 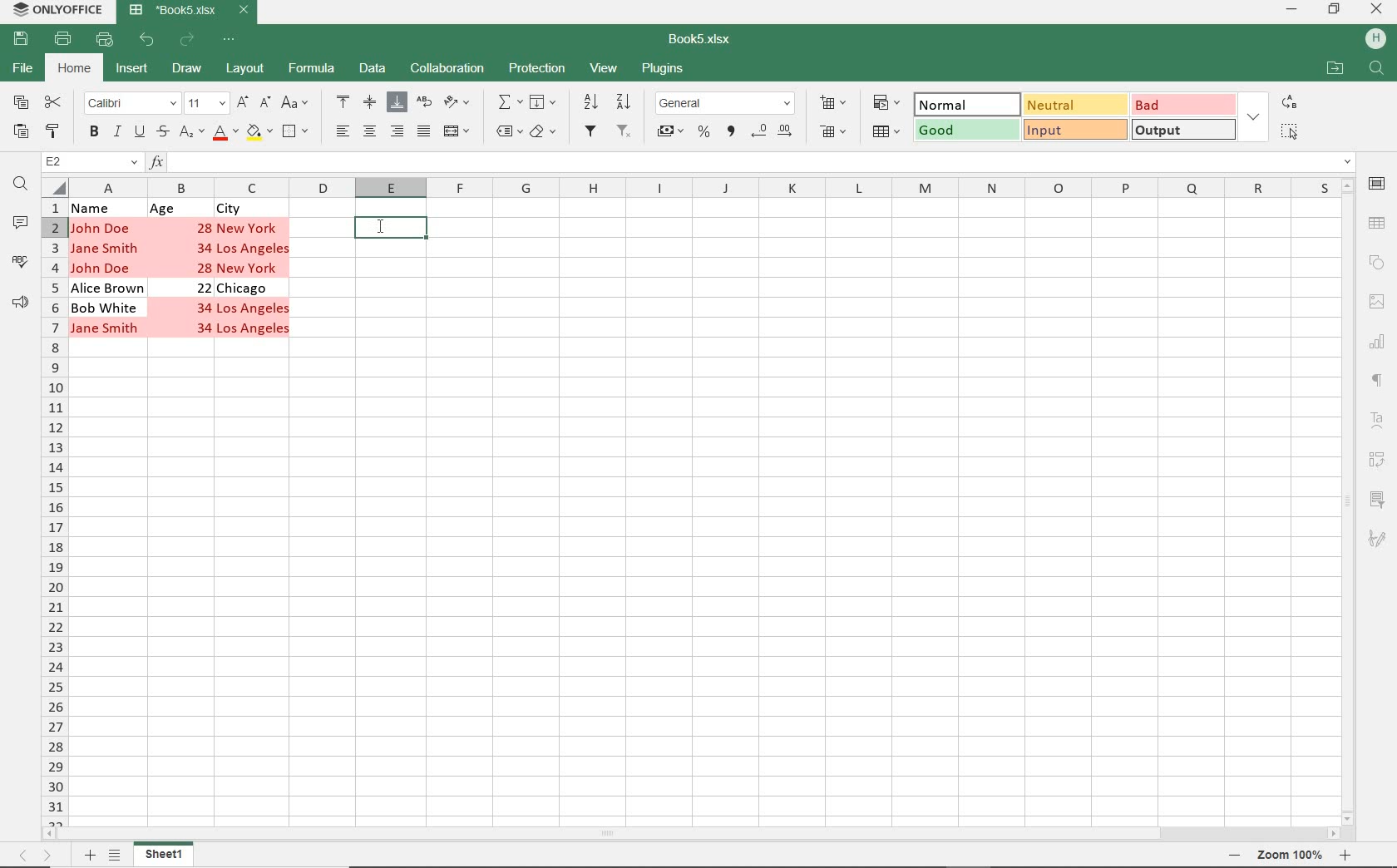 What do you see at coordinates (962, 104) in the screenshot?
I see `NORMAL` at bounding box center [962, 104].